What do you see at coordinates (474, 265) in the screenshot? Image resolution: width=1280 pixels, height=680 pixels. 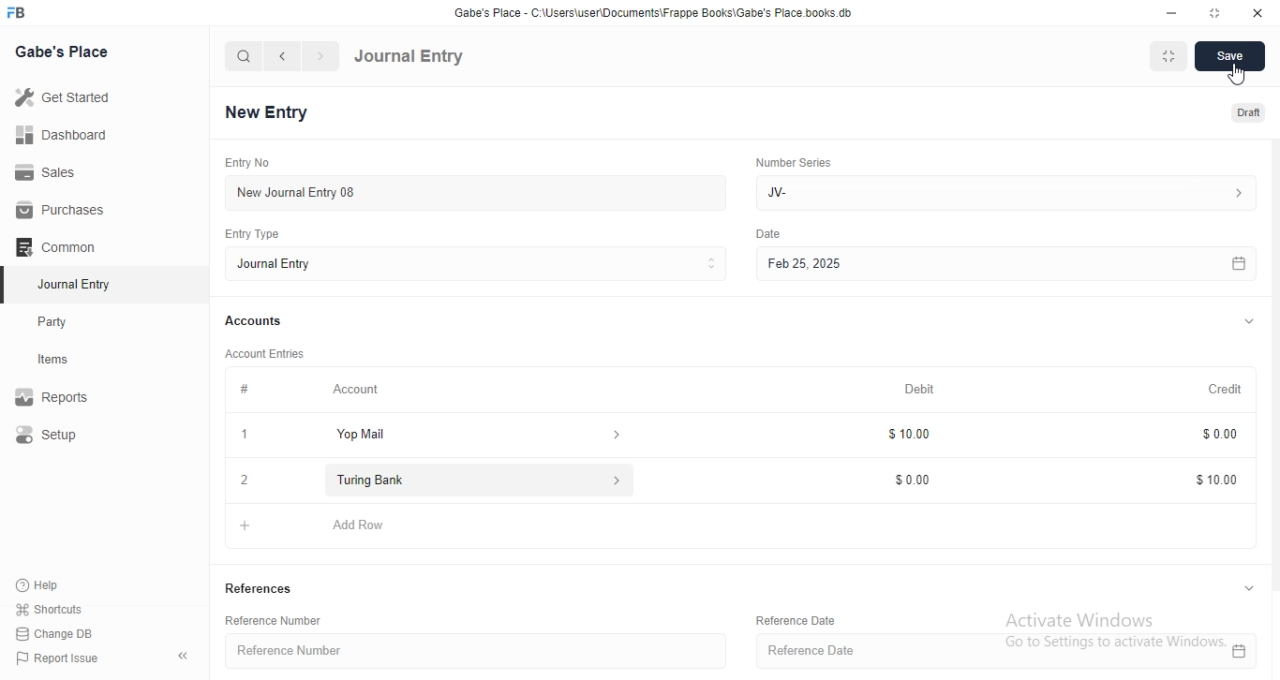 I see `Journal Entry` at bounding box center [474, 265].